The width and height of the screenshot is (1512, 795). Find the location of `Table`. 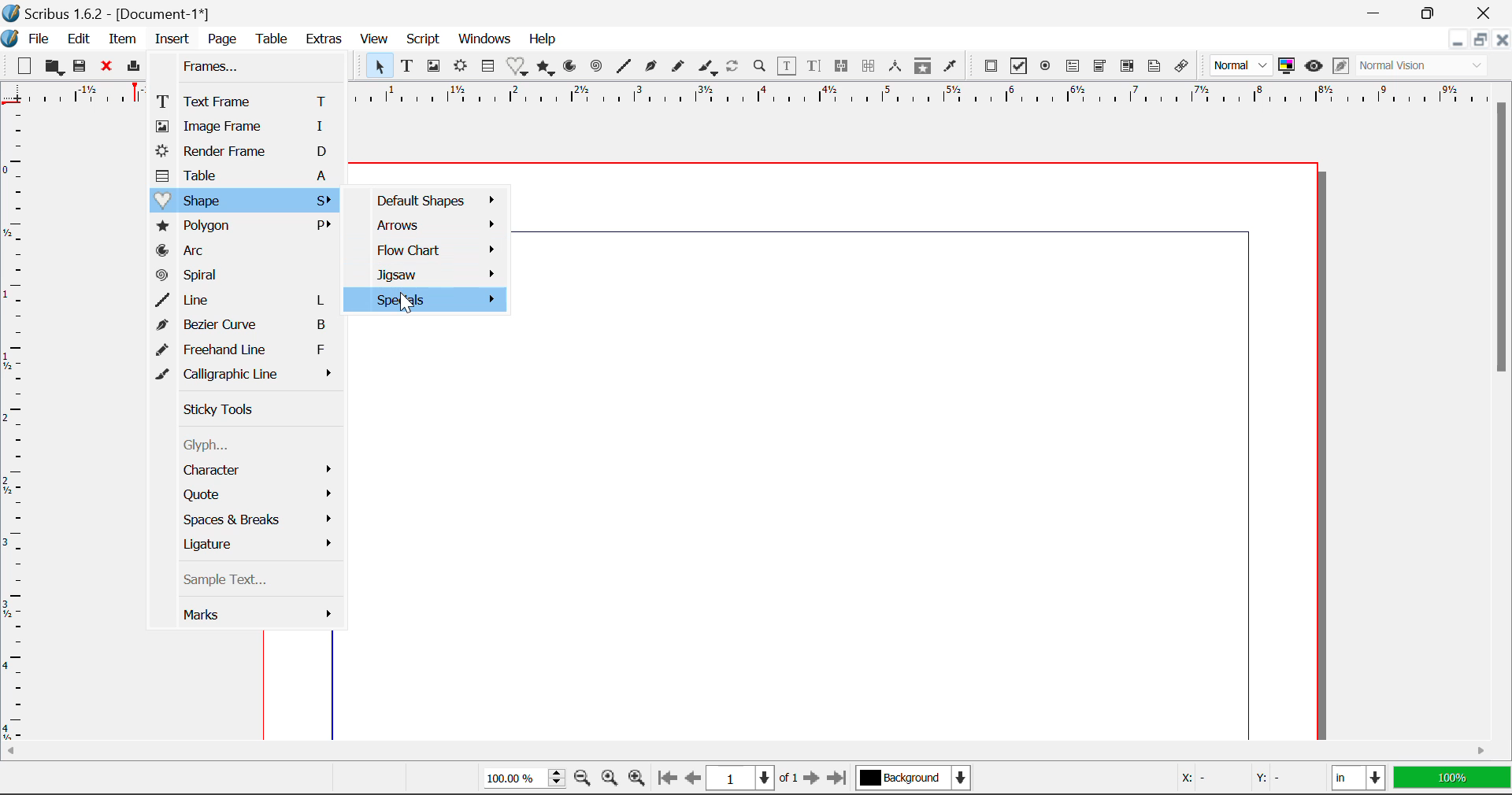

Table is located at coordinates (245, 176).